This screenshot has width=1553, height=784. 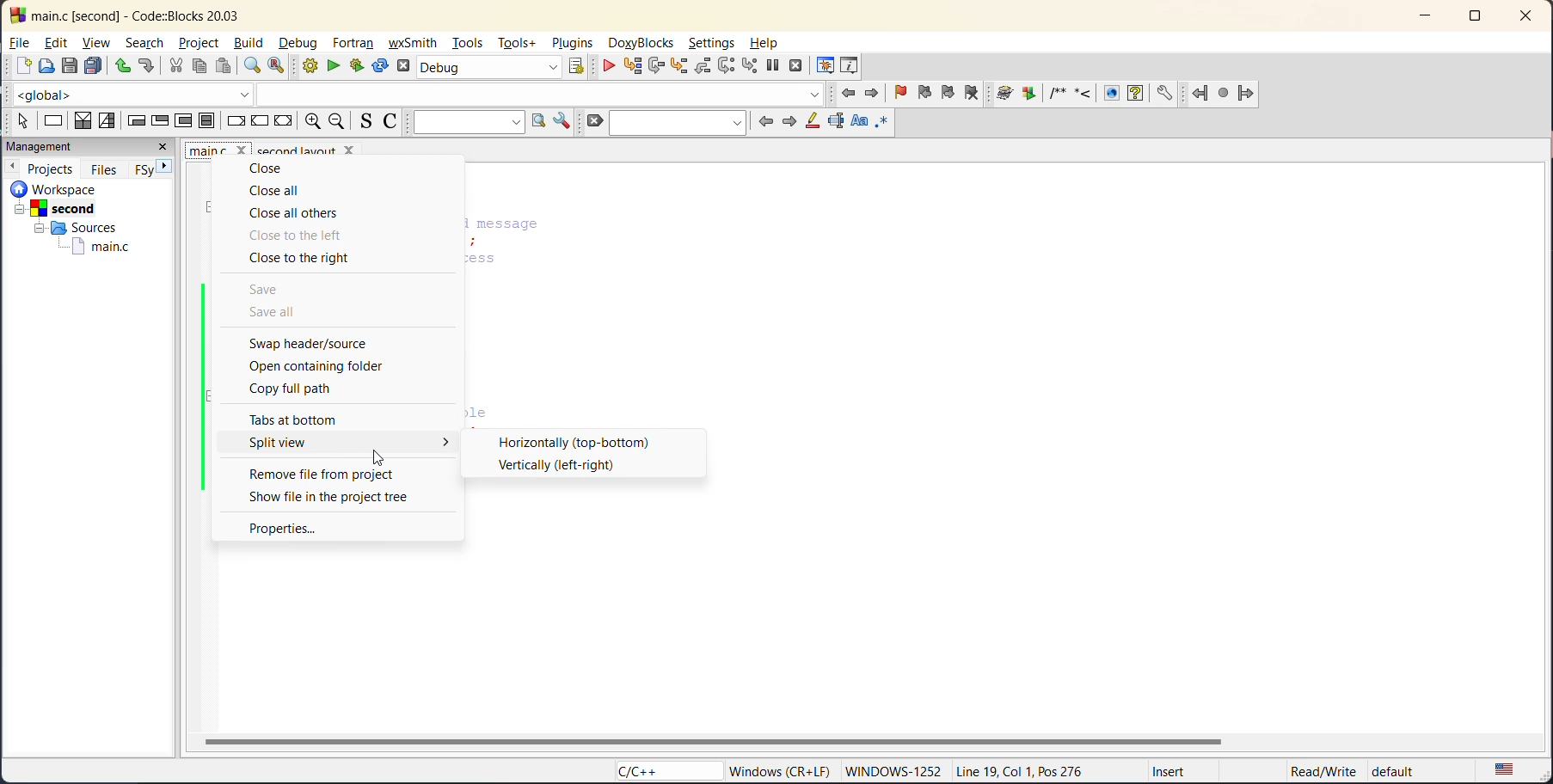 I want to click on workspace, so click(x=81, y=188).